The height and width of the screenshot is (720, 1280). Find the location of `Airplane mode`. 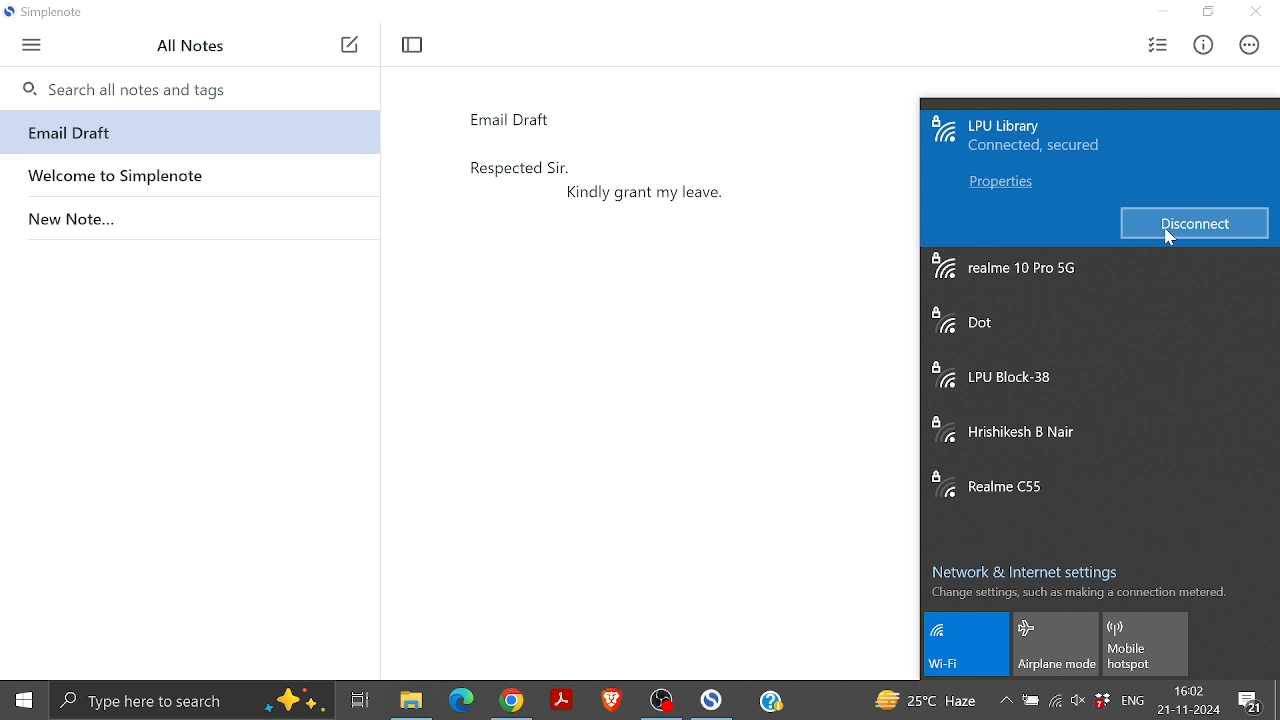

Airplane mode is located at coordinates (1056, 644).